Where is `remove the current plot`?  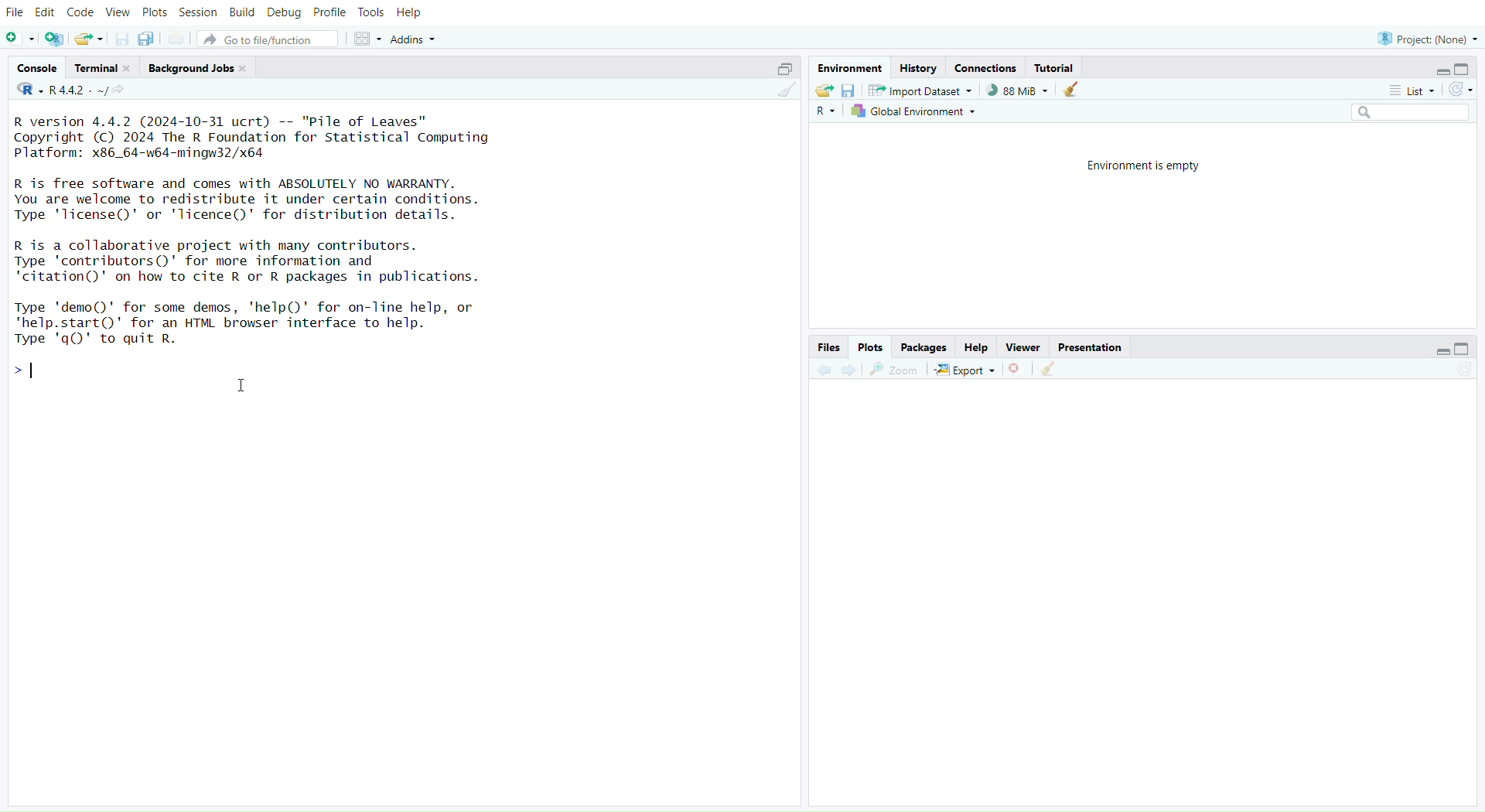
remove the current plot is located at coordinates (1016, 370).